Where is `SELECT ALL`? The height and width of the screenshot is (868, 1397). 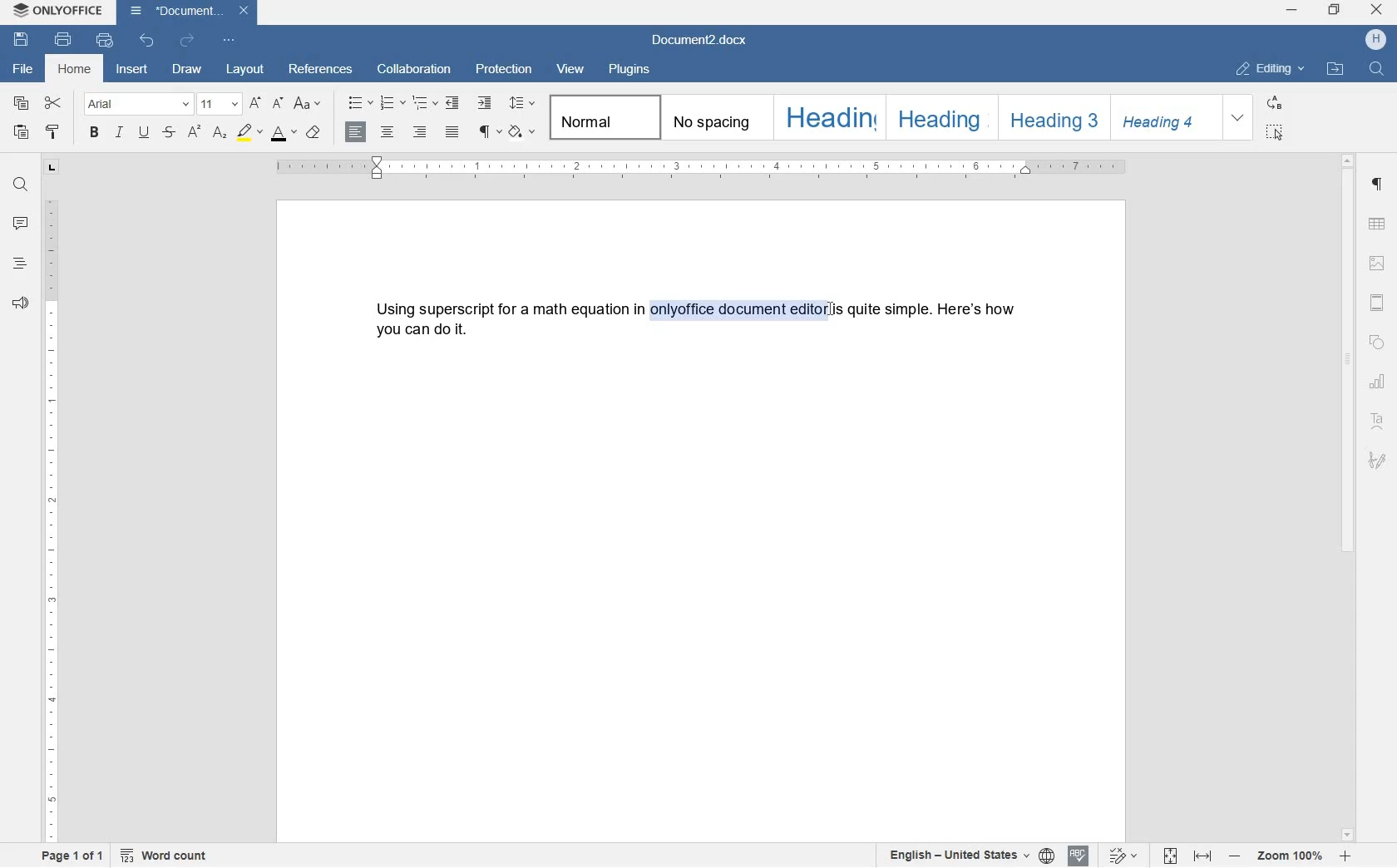 SELECT ALL is located at coordinates (1275, 134).